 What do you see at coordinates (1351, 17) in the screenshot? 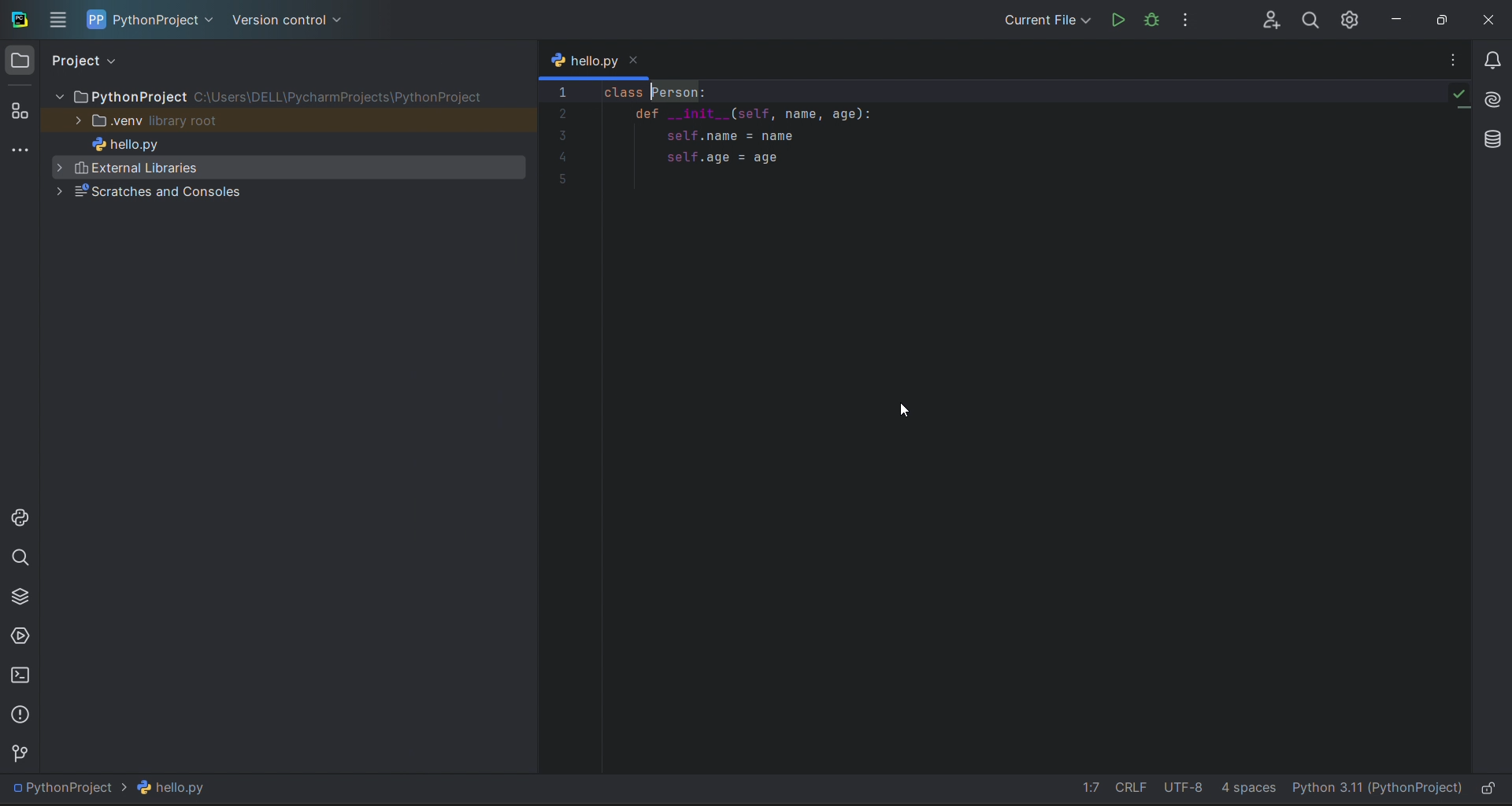
I see `settings` at bounding box center [1351, 17].